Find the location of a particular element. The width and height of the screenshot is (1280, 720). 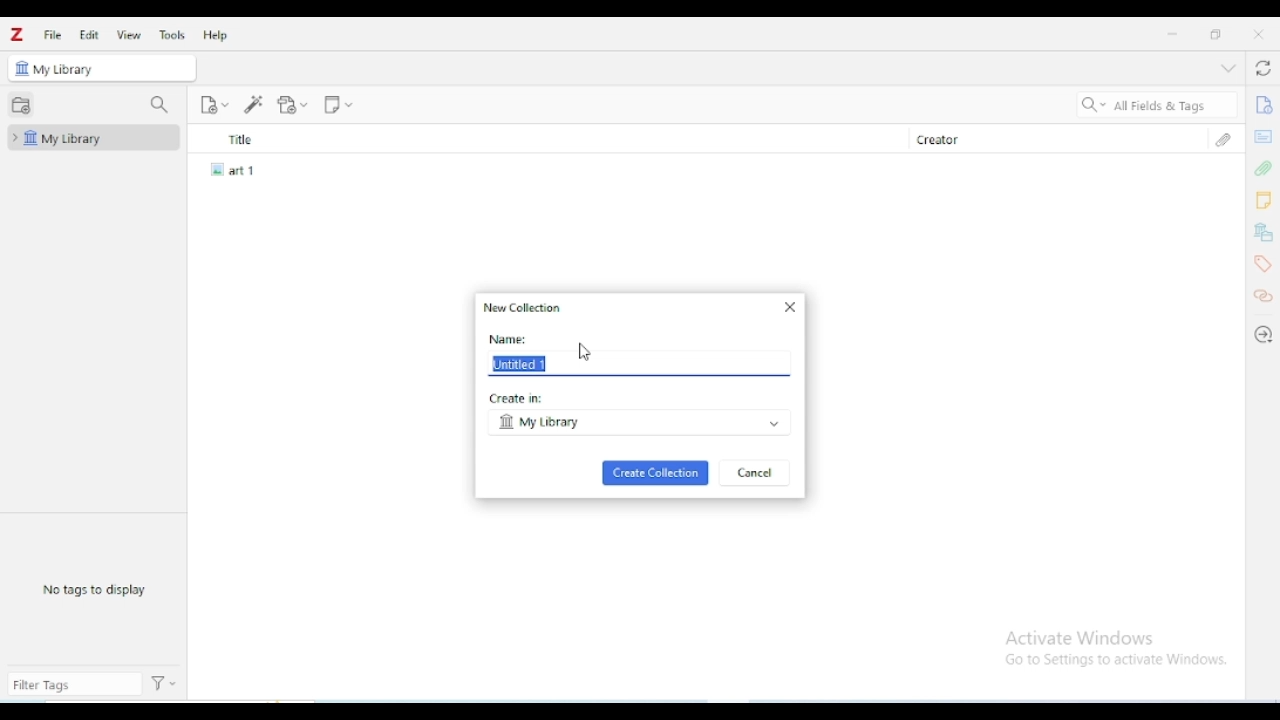

notes is located at coordinates (1263, 201).